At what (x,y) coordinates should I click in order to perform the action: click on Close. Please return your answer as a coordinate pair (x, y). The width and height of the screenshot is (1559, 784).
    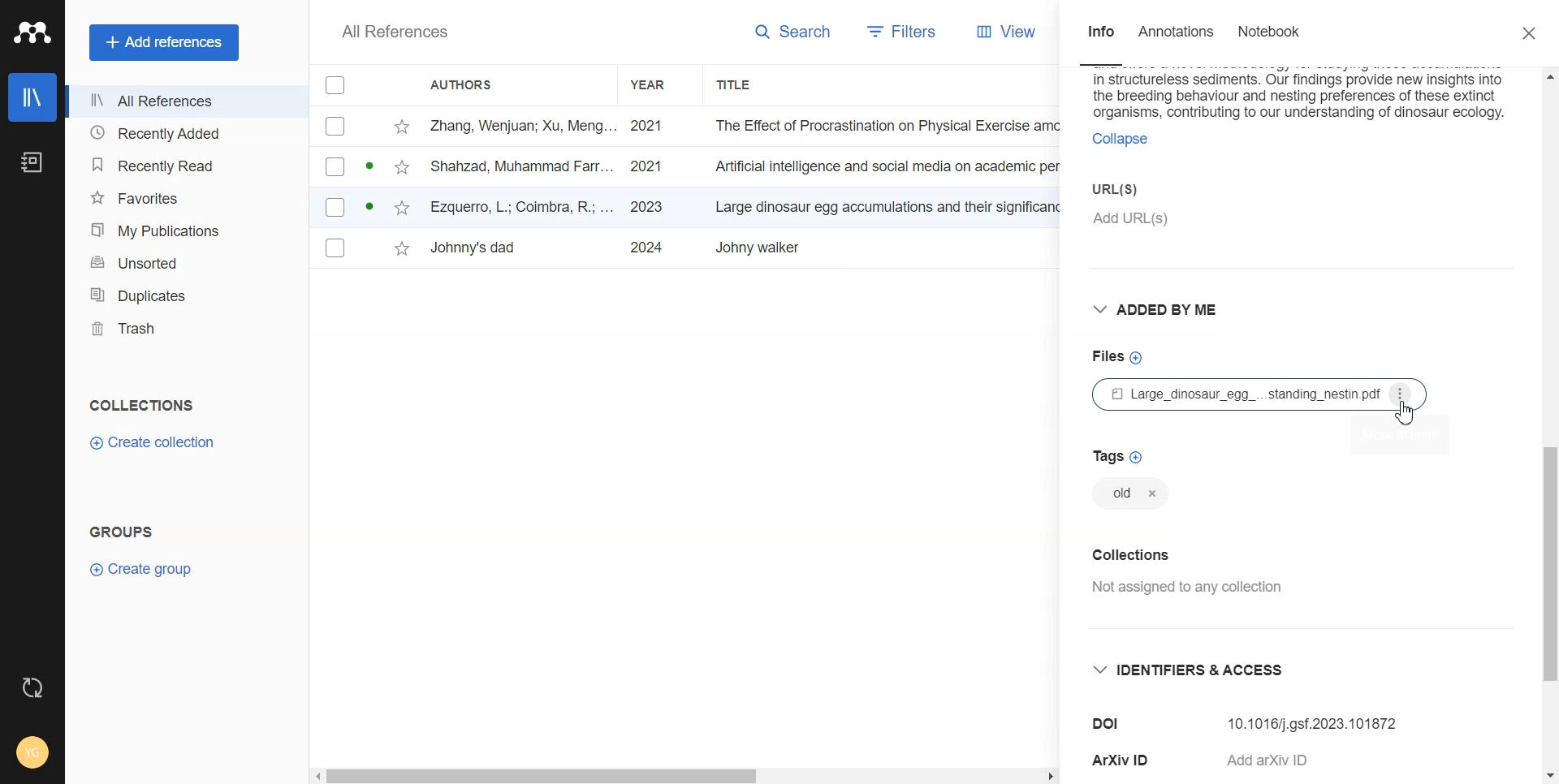
    Looking at the image, I should click on (1532, 34).